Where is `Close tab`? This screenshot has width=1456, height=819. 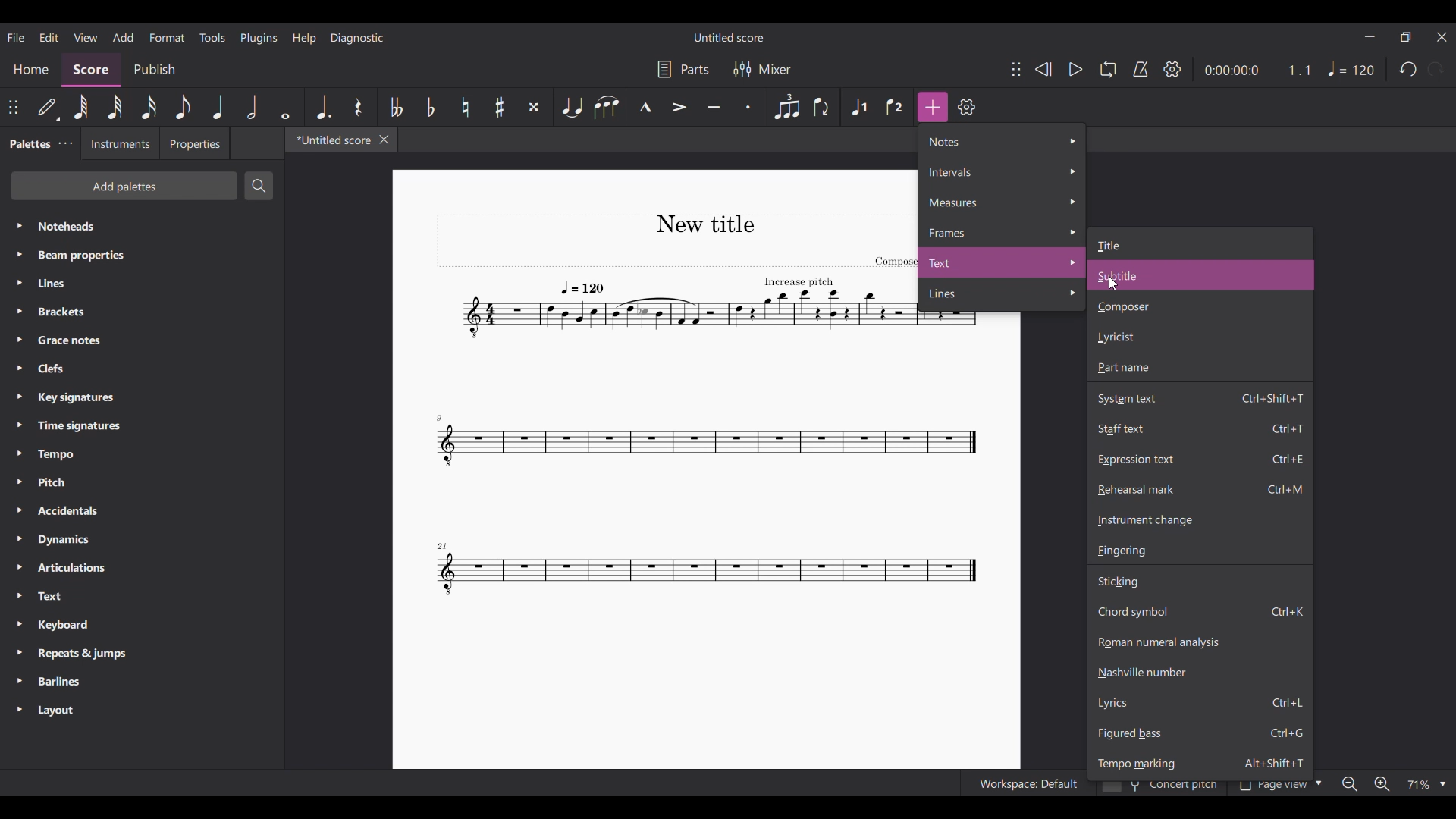 Close tab is located at coordinates (384, 140).